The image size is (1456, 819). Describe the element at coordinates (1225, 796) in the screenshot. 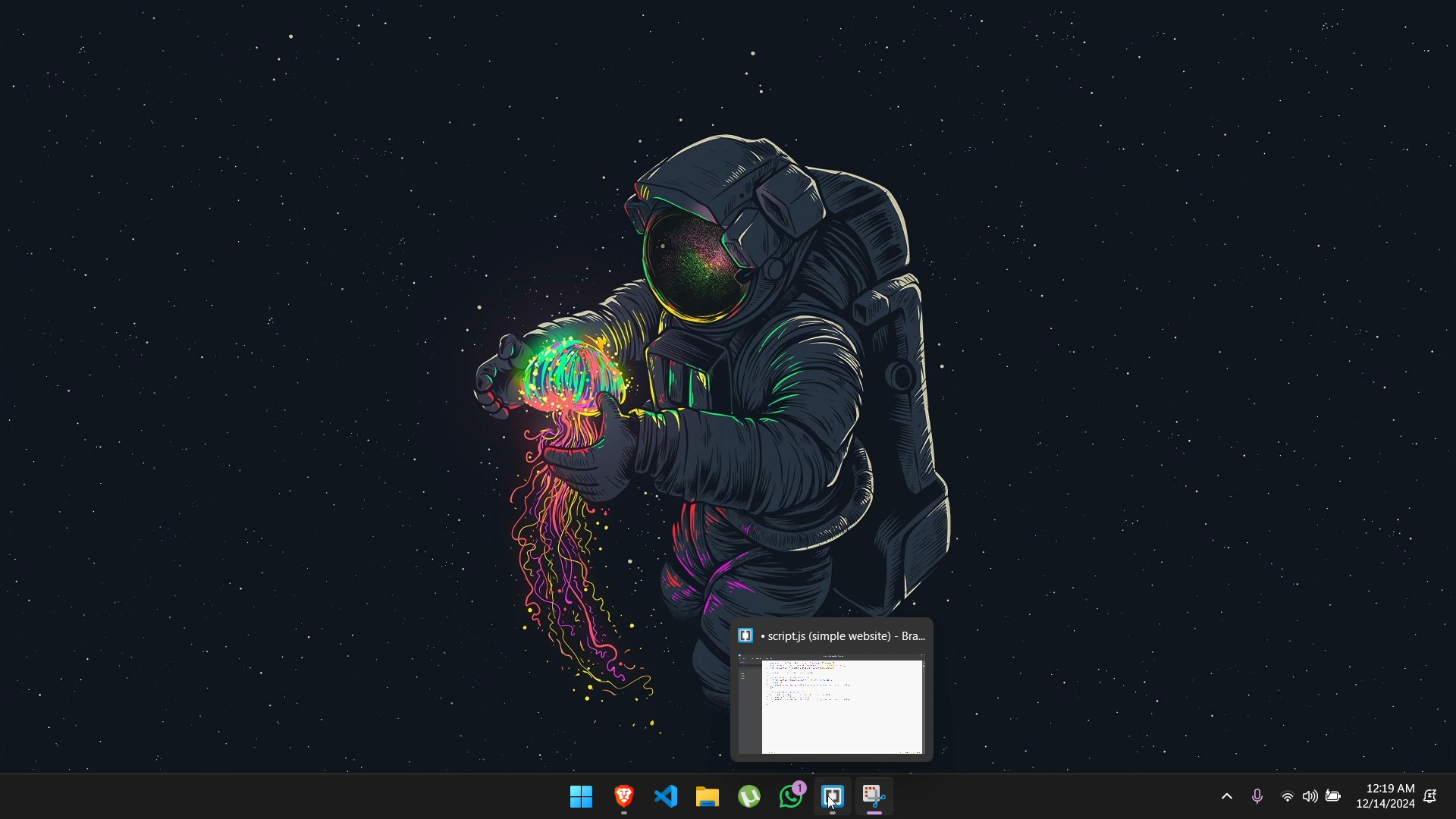

I see `show hidden icons` at that location.